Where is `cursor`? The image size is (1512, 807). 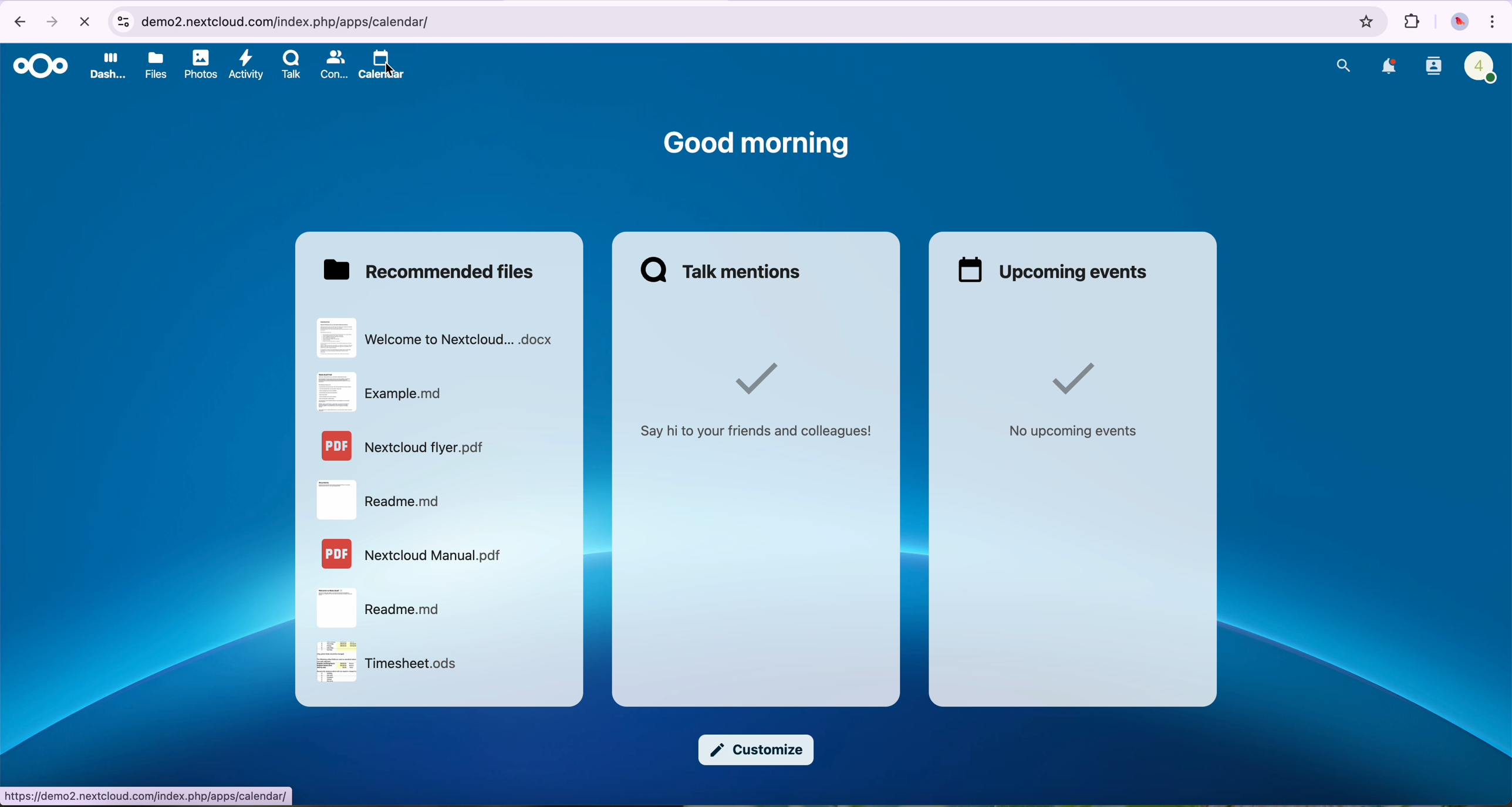
cursor is located at coordinates (392, 72).